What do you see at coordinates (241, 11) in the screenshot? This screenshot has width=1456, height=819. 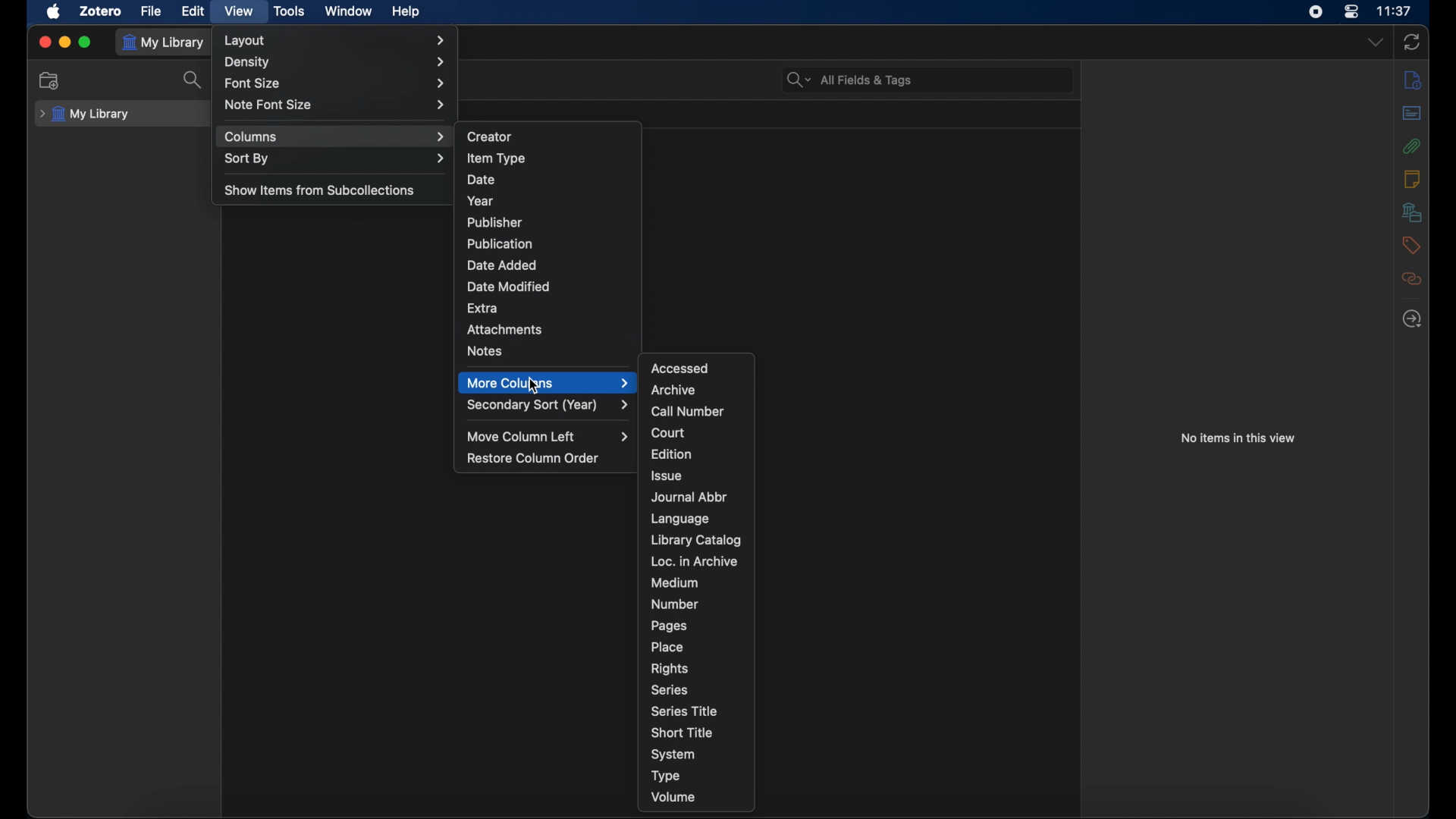 I see `view` at bounding box center [241, 11].